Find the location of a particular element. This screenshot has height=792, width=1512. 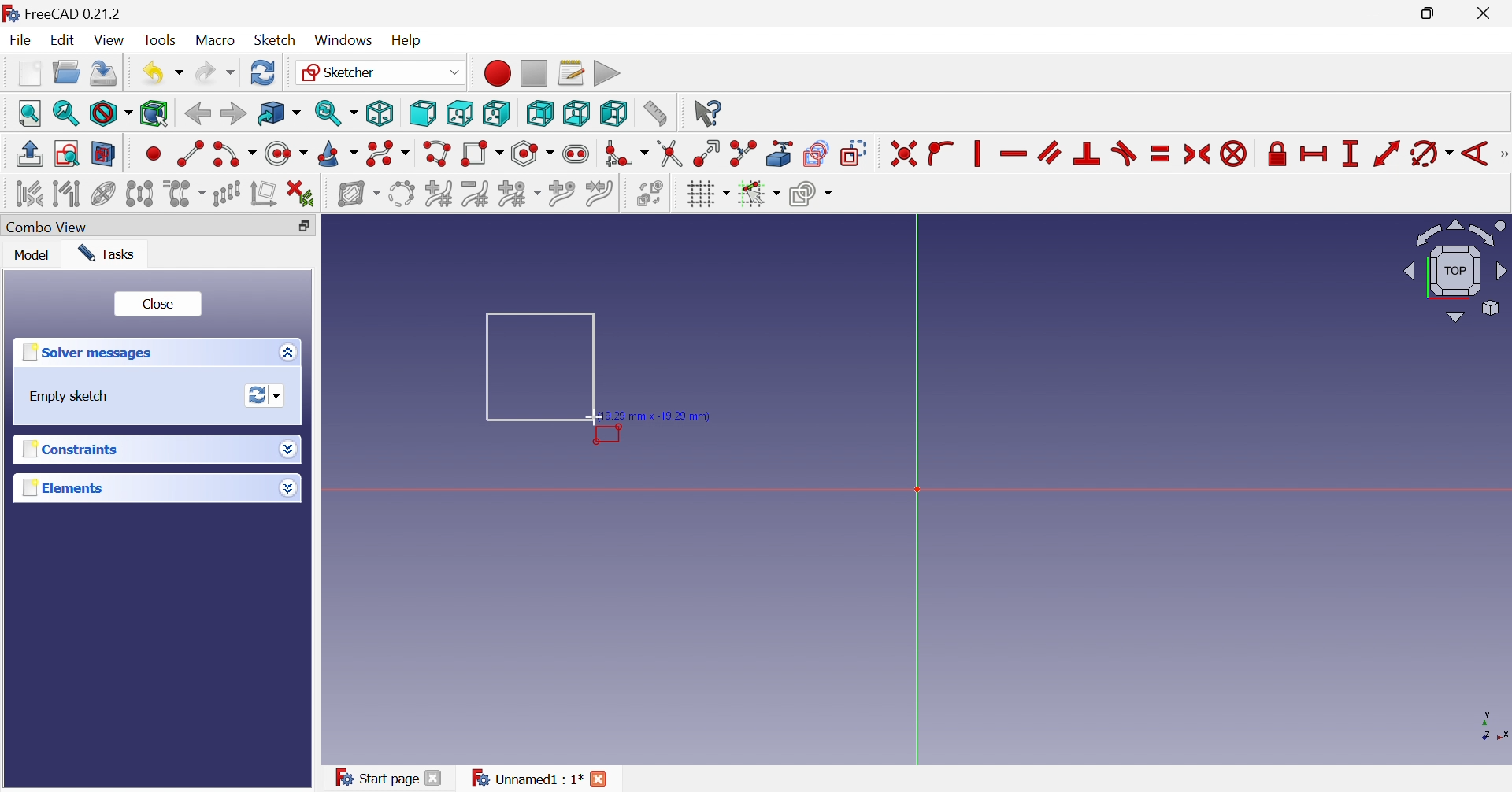

Drop down is located at coordinates (287, 489).